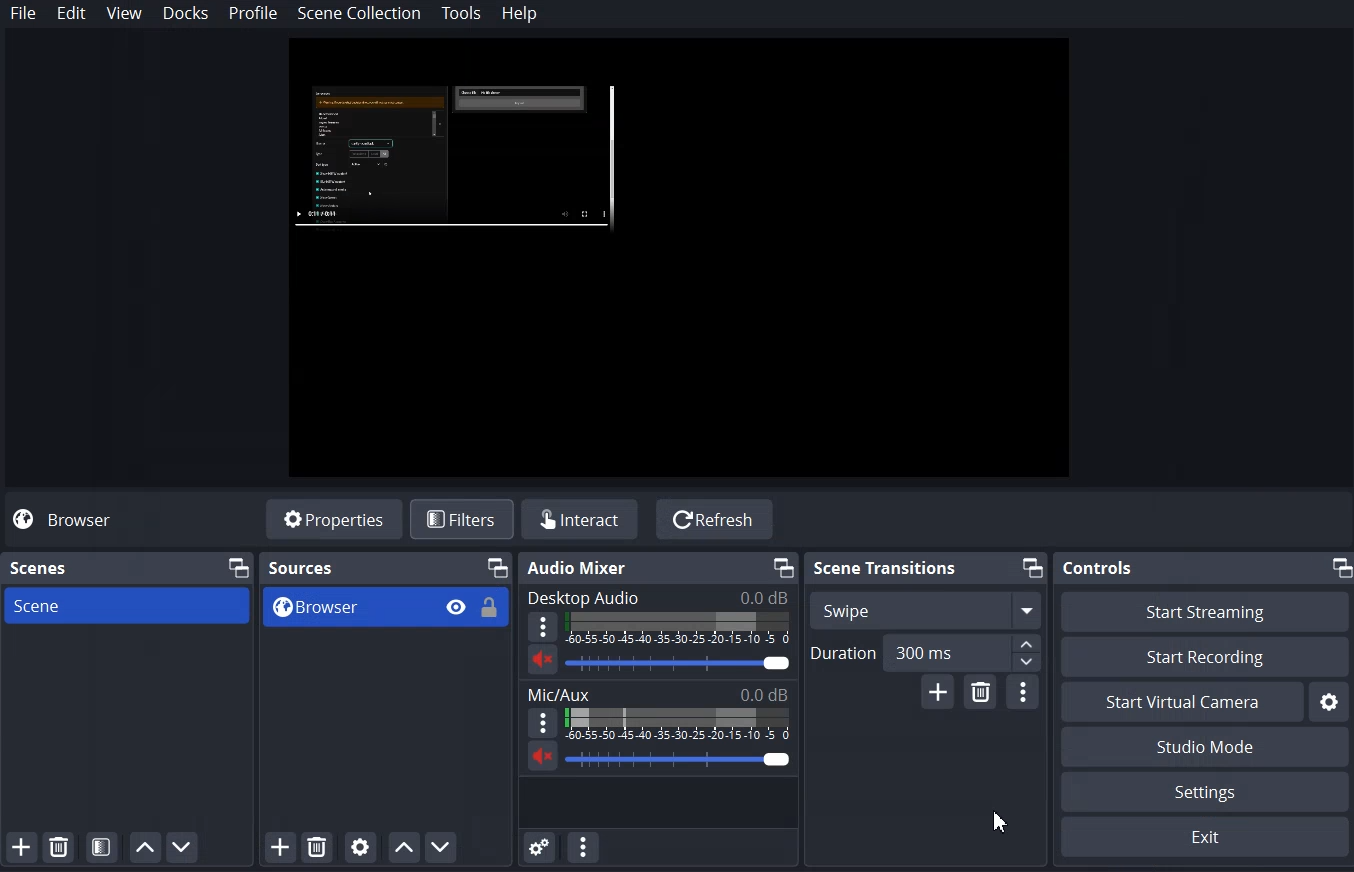  What do you see at coordinates (461, 520) in the screenshot?
I see `Filters` at bounding box center [461, 520].